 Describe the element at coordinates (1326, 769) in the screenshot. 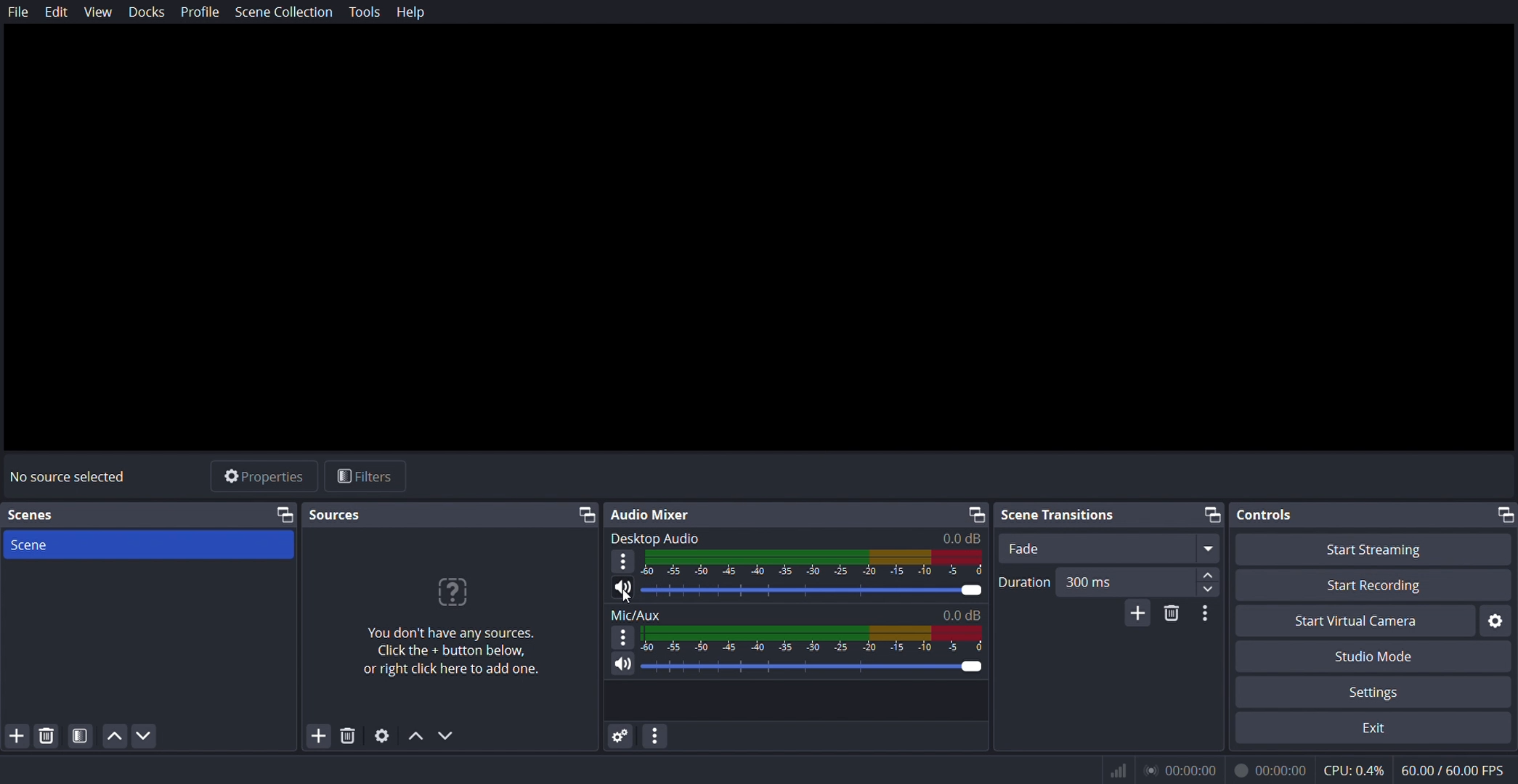

I see `® 00:00:00 00:00:00 CPU:0.4% 60.00/60.00 FPS` at that location.